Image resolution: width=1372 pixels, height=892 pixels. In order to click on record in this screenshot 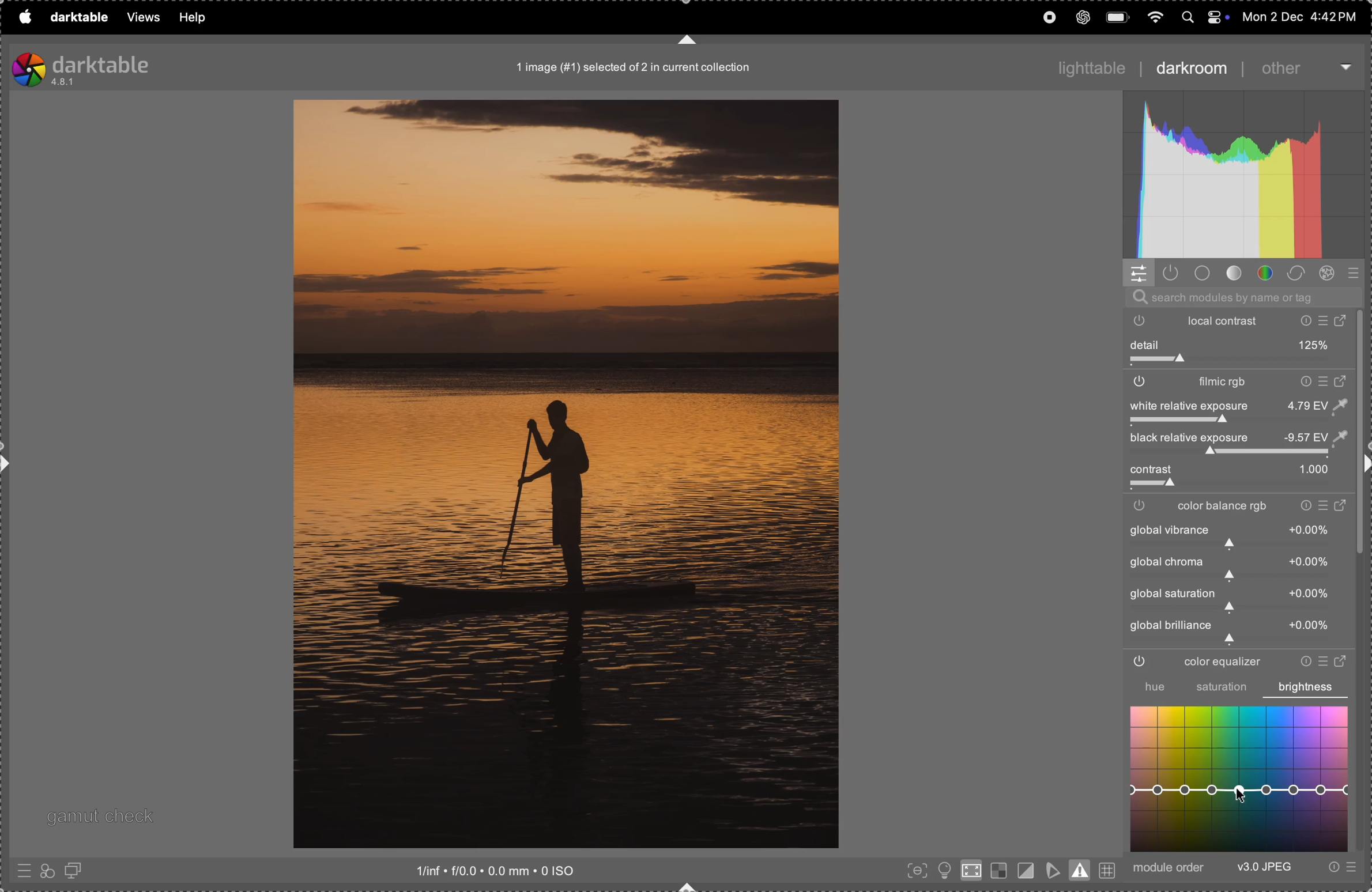, I will do `click(1047, 17)`.